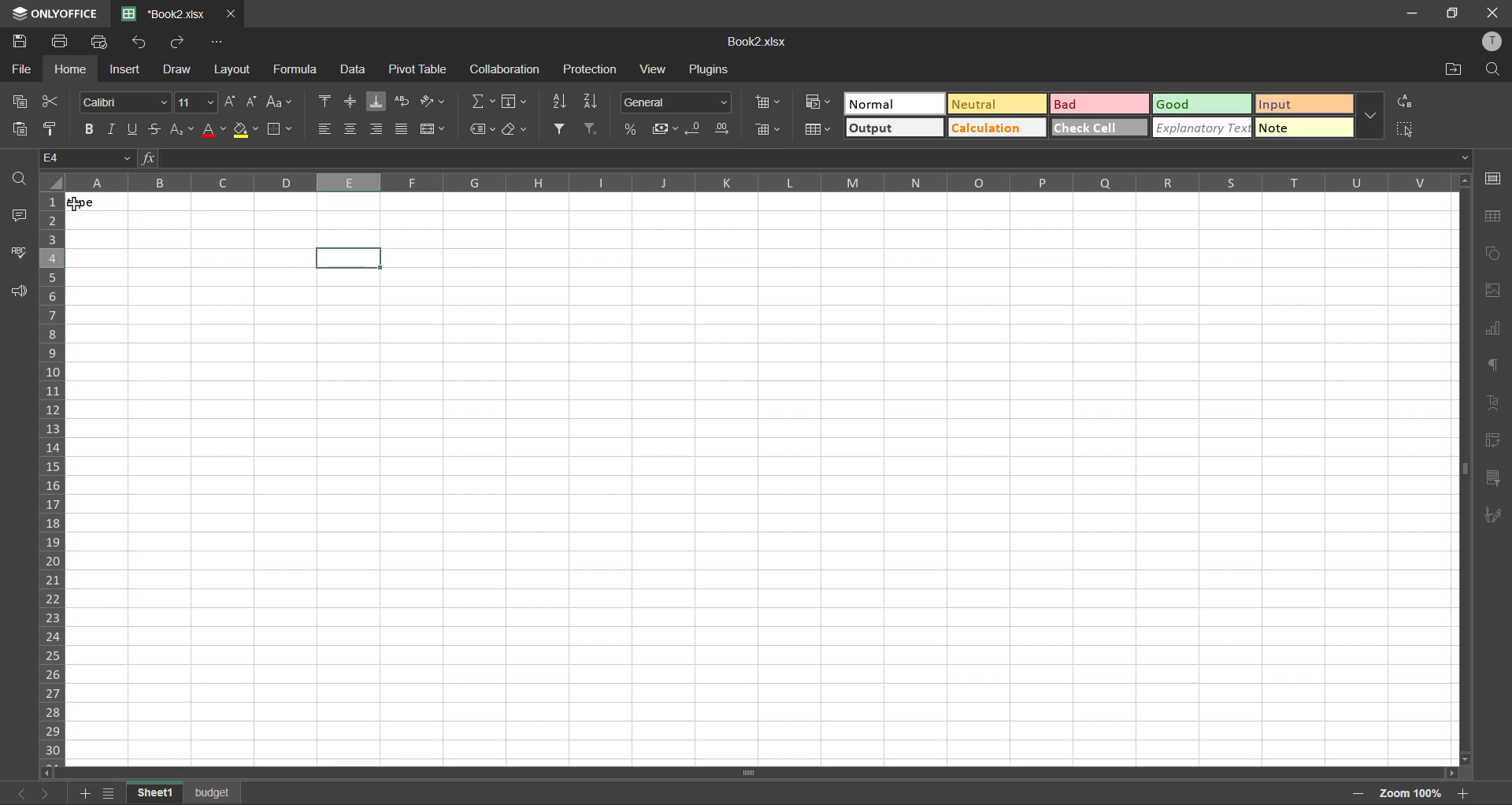  Describe the element at coordinates (135, 129) in the screenshot. I see `underline` at that location.